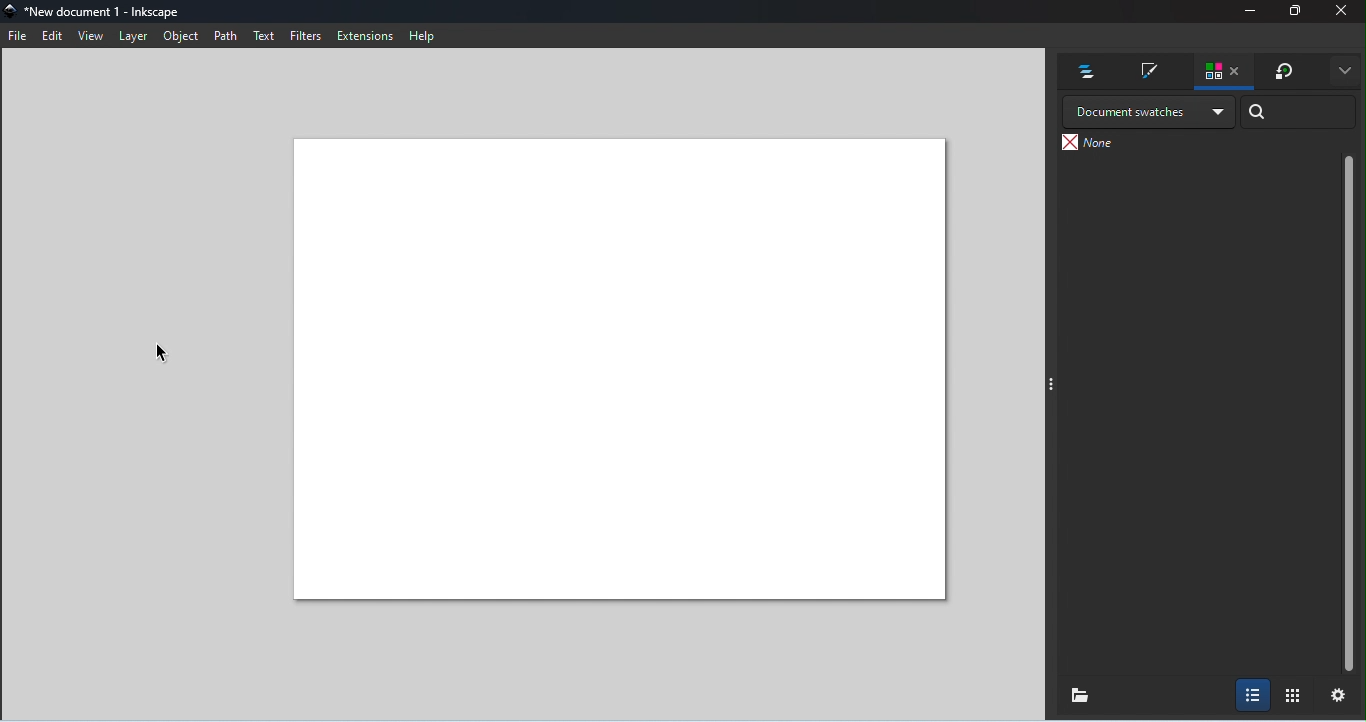 Image resolution: width=1366 pixels, height=722 pixels. Describe the element at coordinates (1297, 112) in the screenshot. I see `Search bar` at that location.